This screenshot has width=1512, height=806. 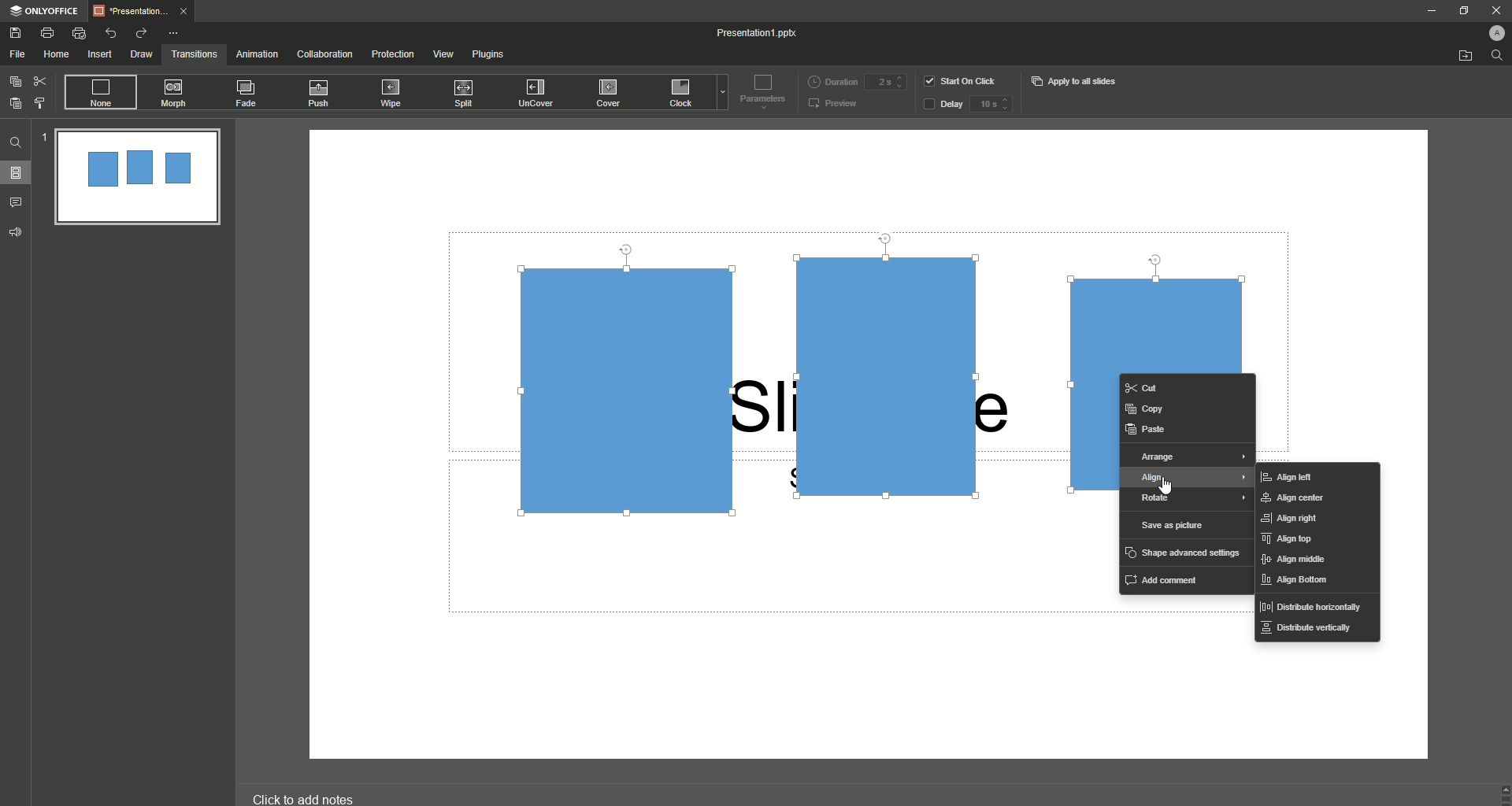 What do you see at coordinates (176, 33) in the screenshot?
I see `More Options` at bounding box center [176, 33].